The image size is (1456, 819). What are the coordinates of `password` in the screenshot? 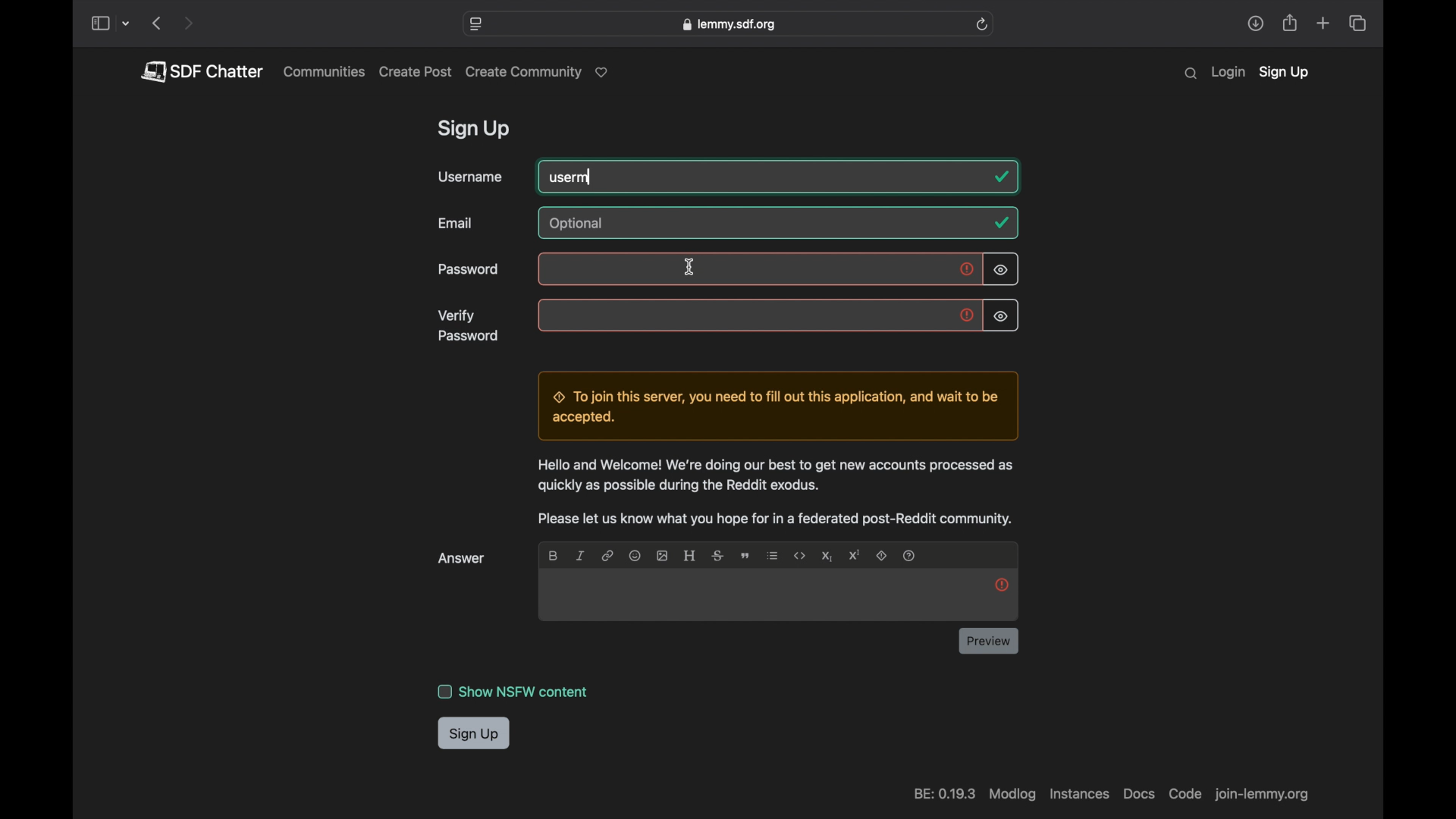 It's located at (469, 270).